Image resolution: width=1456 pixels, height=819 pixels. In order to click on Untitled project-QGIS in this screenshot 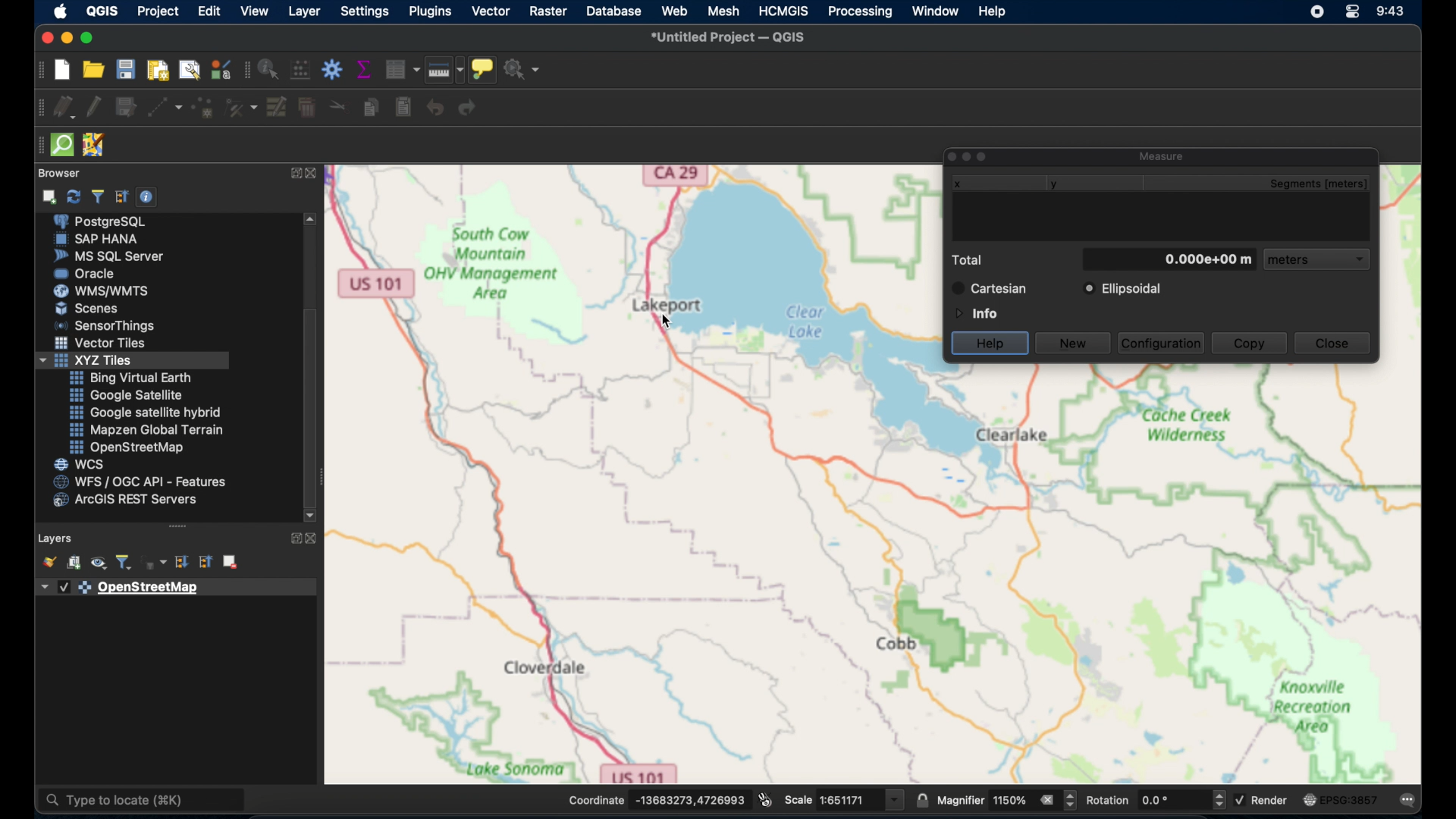, I will do `click(730, 36)`.